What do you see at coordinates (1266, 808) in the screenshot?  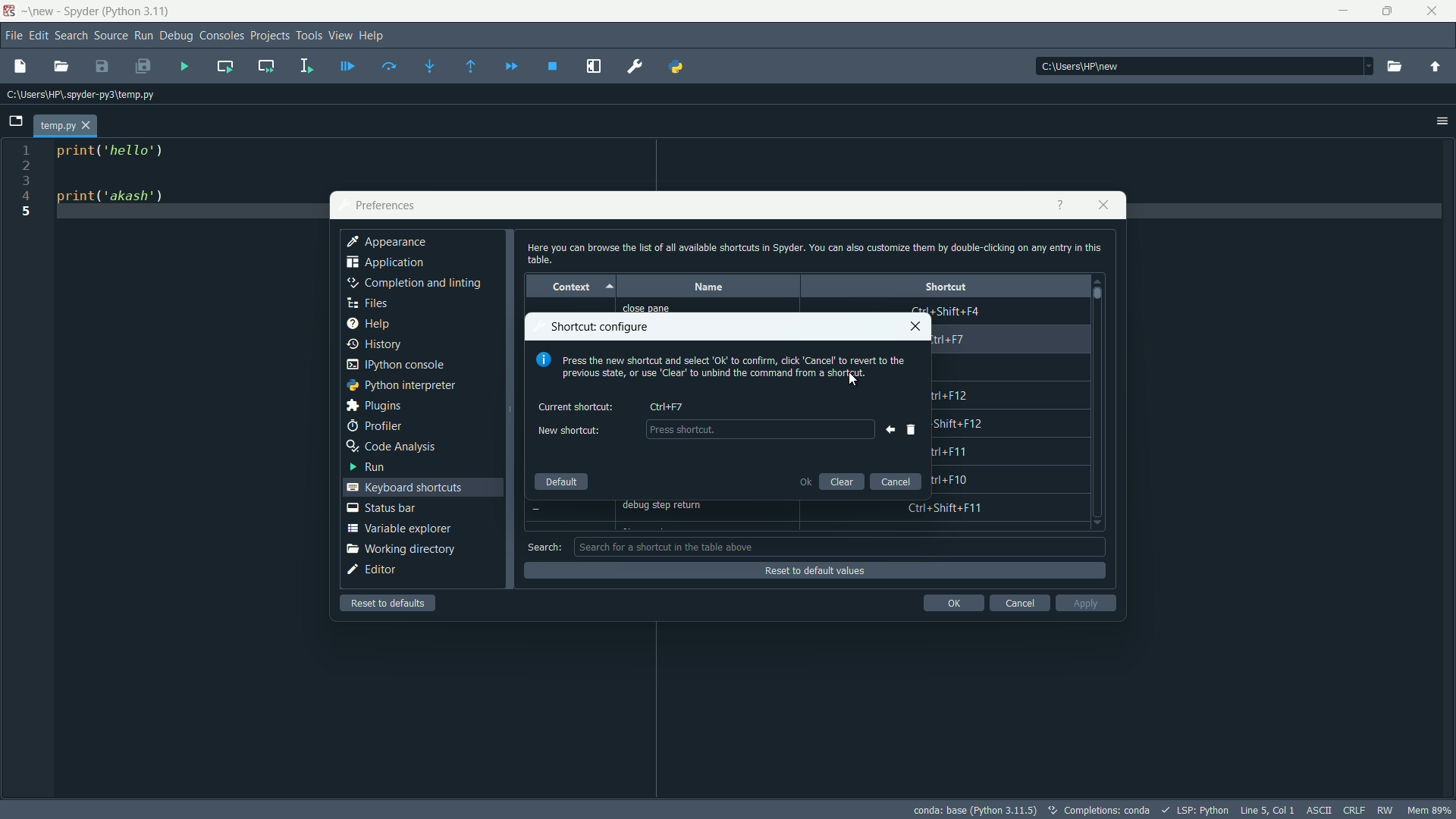 I see `cursor position` at bounding box center [1266, 808].